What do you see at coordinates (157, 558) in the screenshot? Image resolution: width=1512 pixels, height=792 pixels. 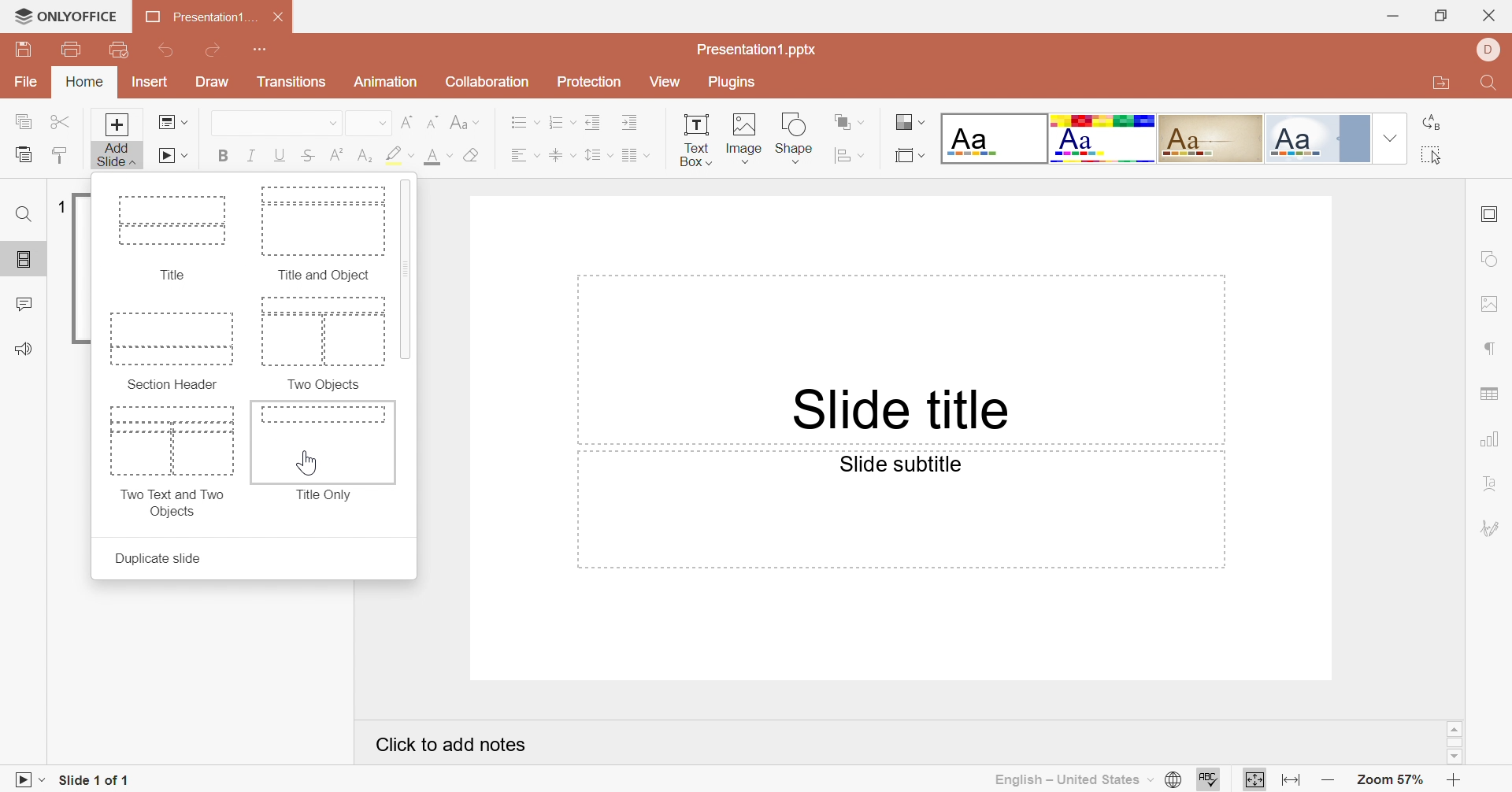 I see `Duplicate slide` at bounding box center [157, 558].